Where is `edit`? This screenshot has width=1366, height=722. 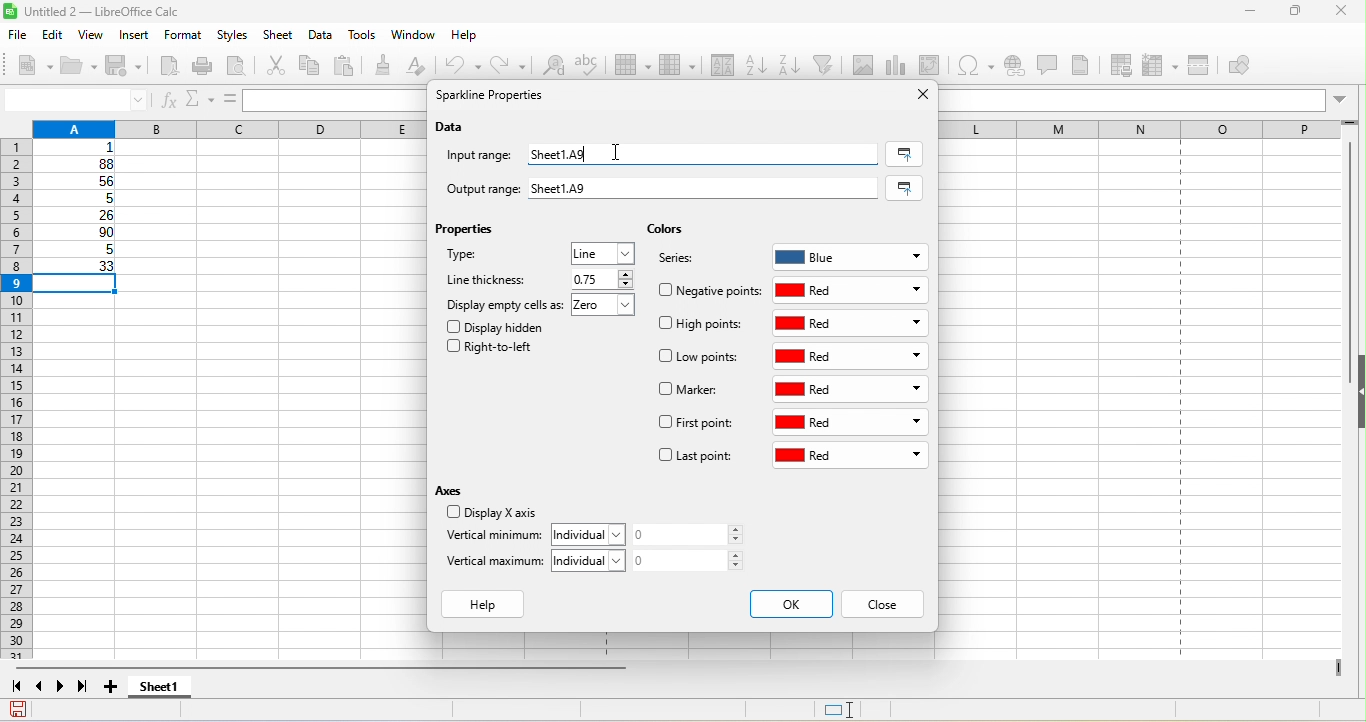
edit is located at coordinates (55, 34).